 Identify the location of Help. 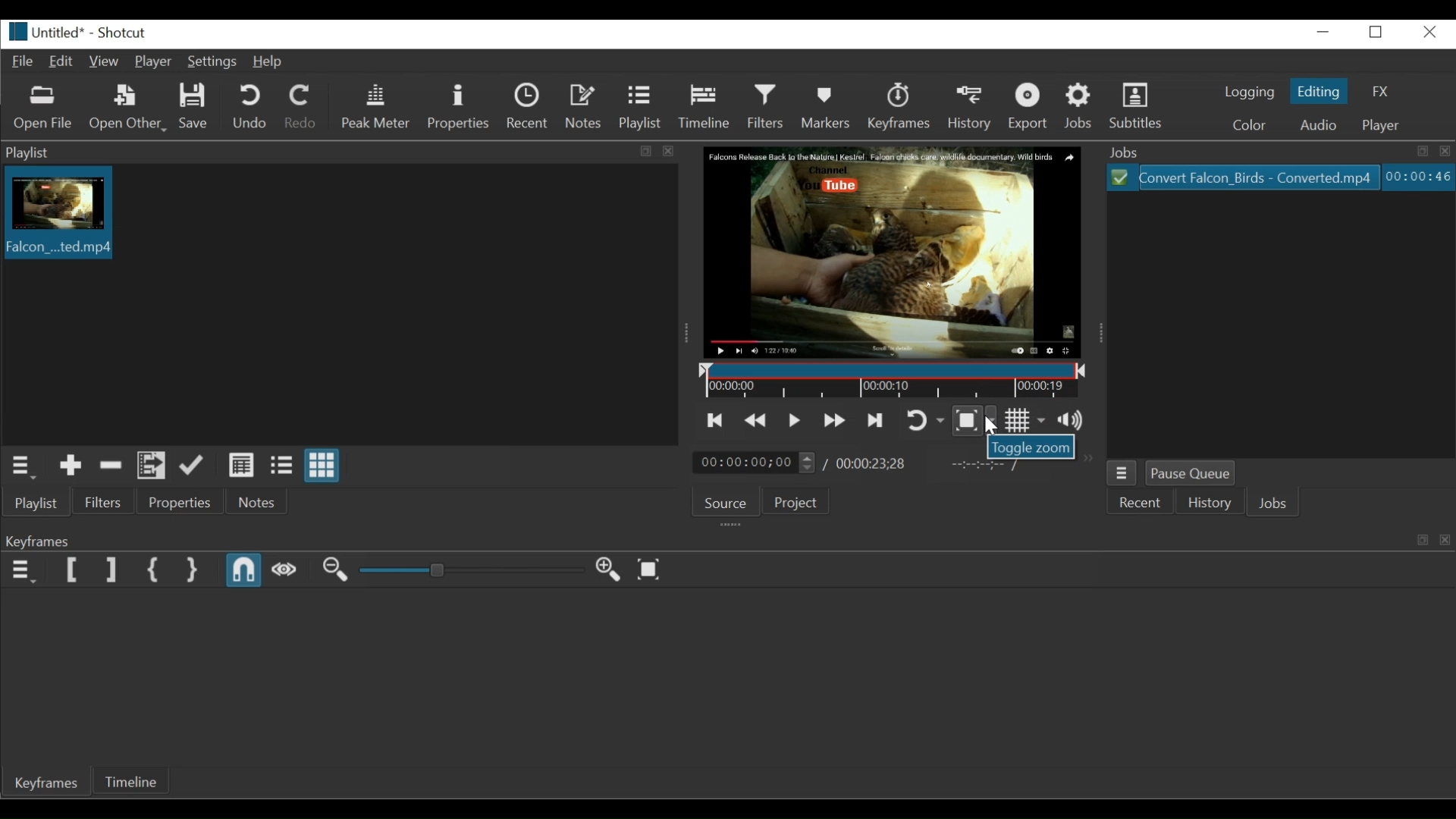
(270, 62).